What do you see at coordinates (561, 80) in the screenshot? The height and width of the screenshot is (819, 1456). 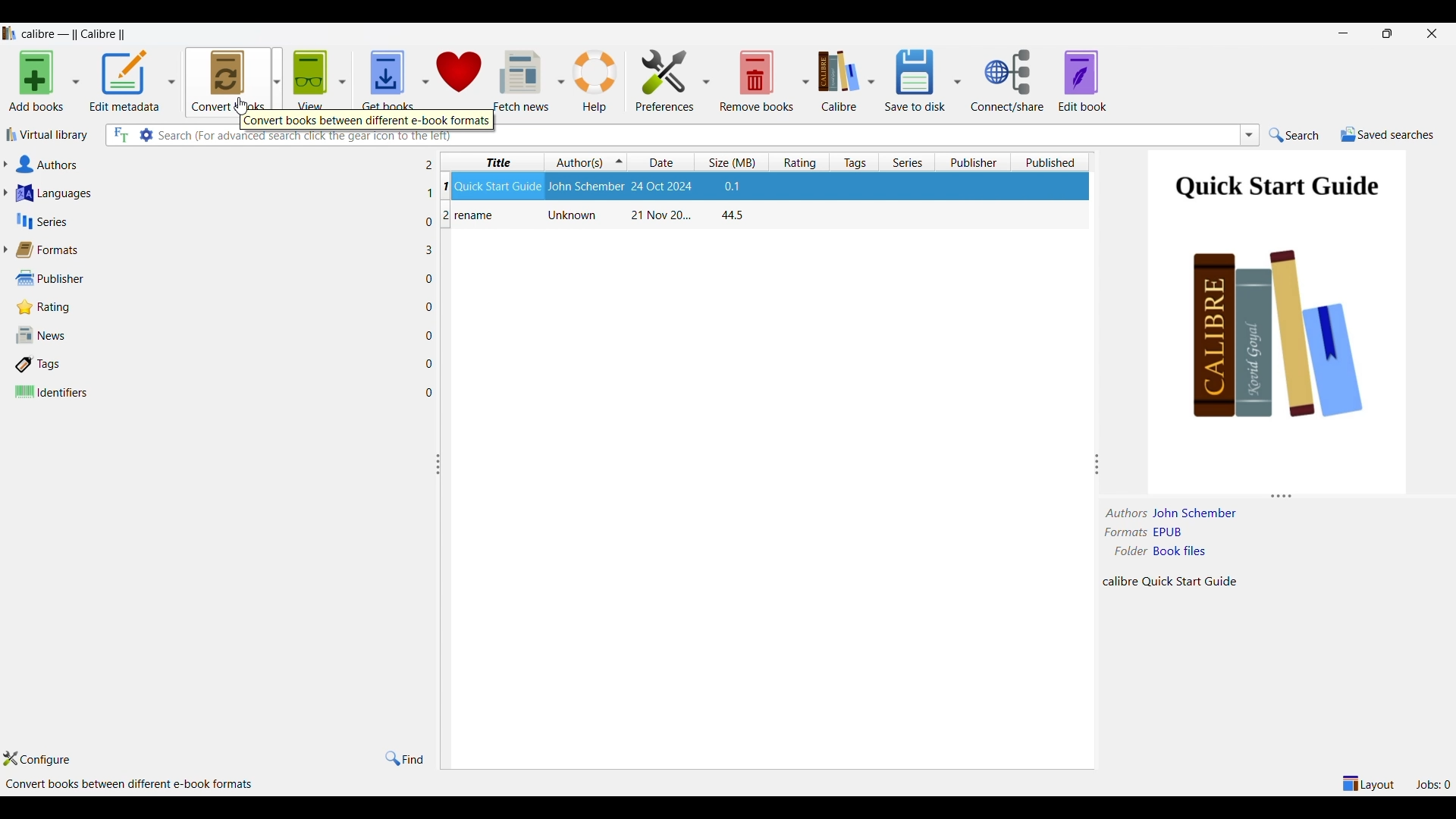 I see `Fetch news options` at bounding box center [561, 80].